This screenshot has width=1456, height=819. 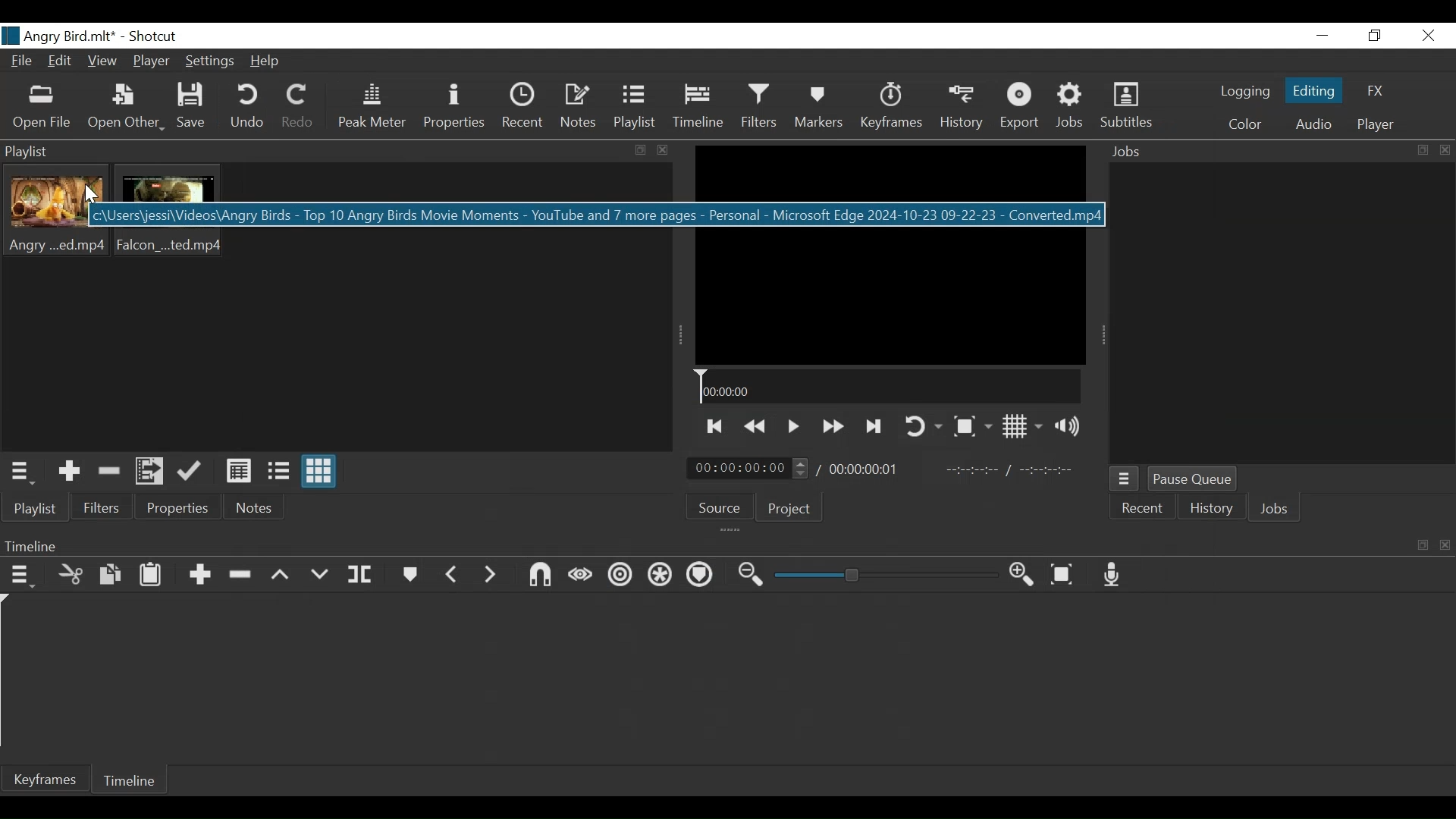 I want to click on Playlist, so click(x=35, y=509).